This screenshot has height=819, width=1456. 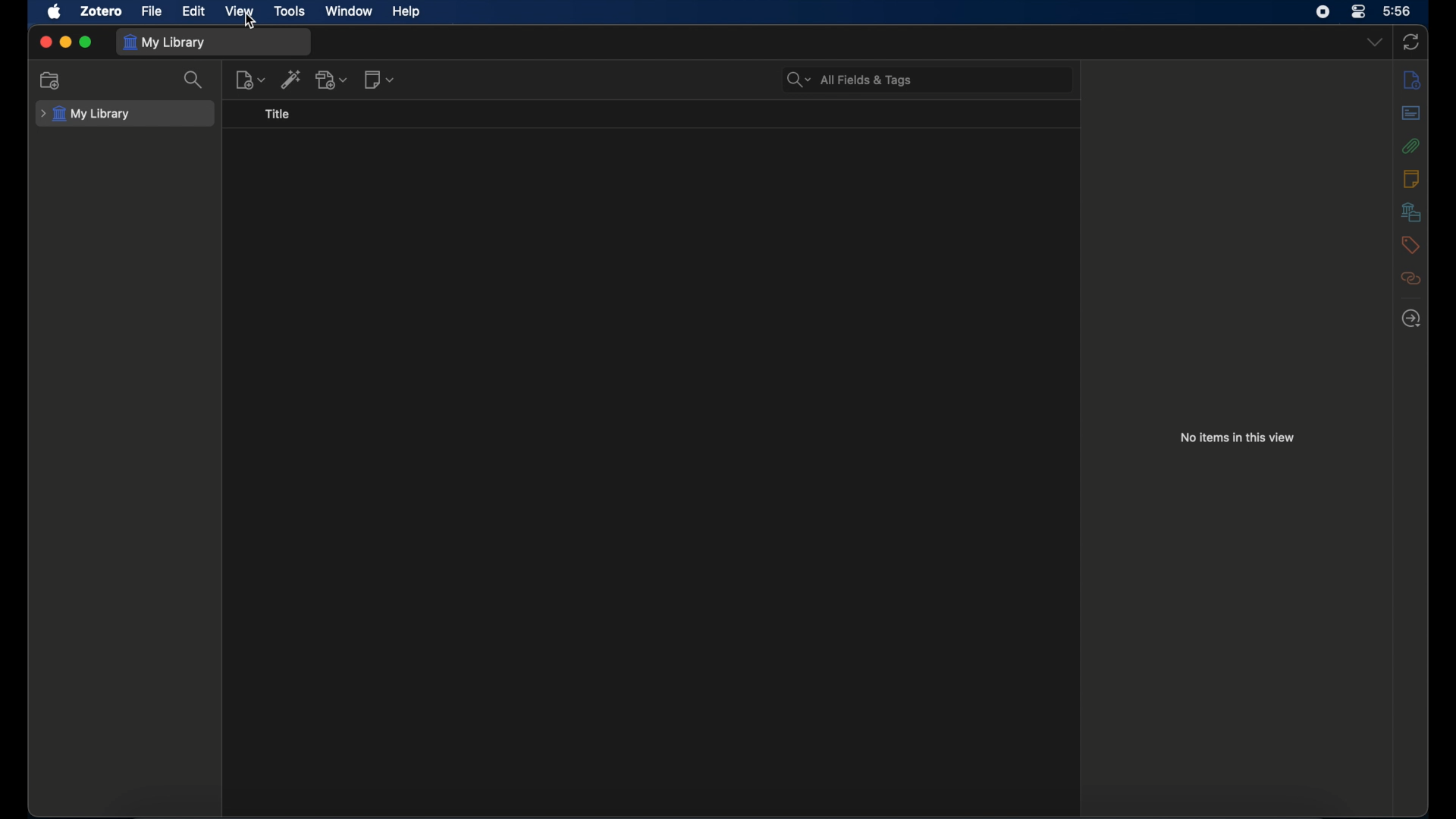 I want to click on view, so click(x=240, y=11).